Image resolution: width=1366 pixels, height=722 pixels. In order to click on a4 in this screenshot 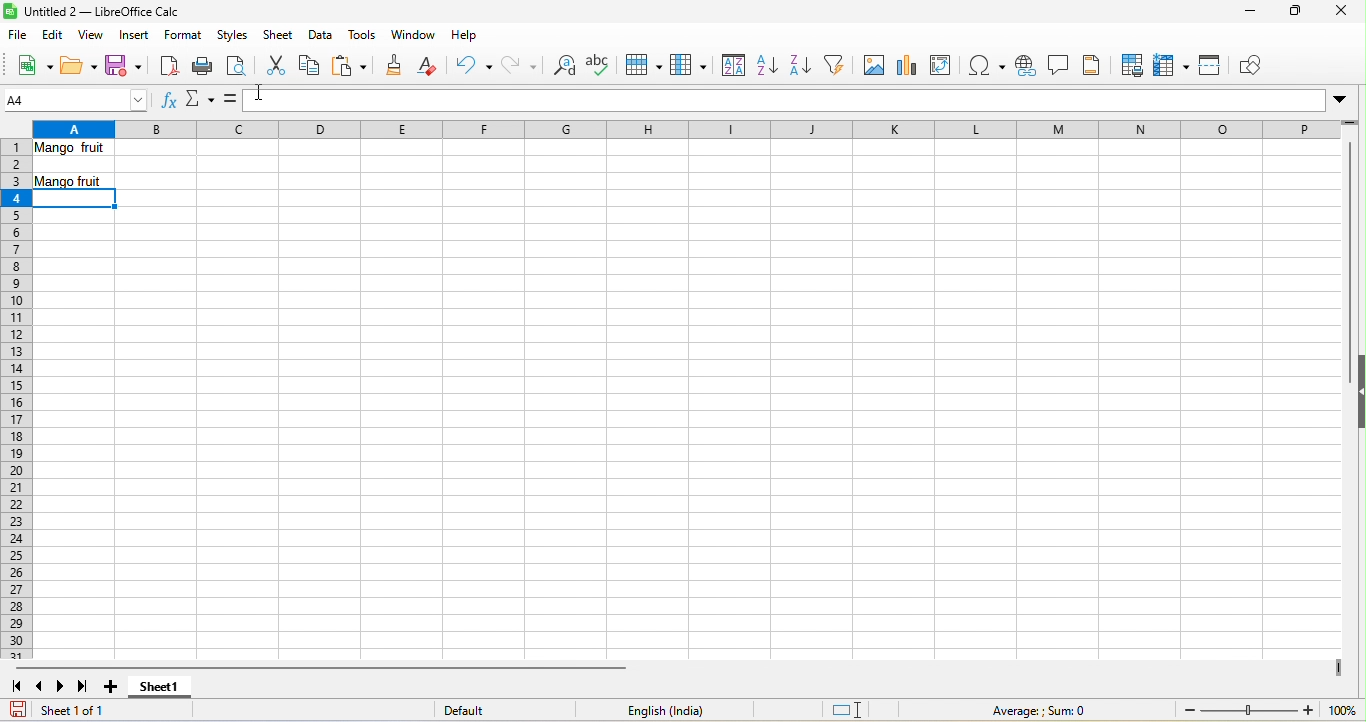, I will do `click(77, 101)`.